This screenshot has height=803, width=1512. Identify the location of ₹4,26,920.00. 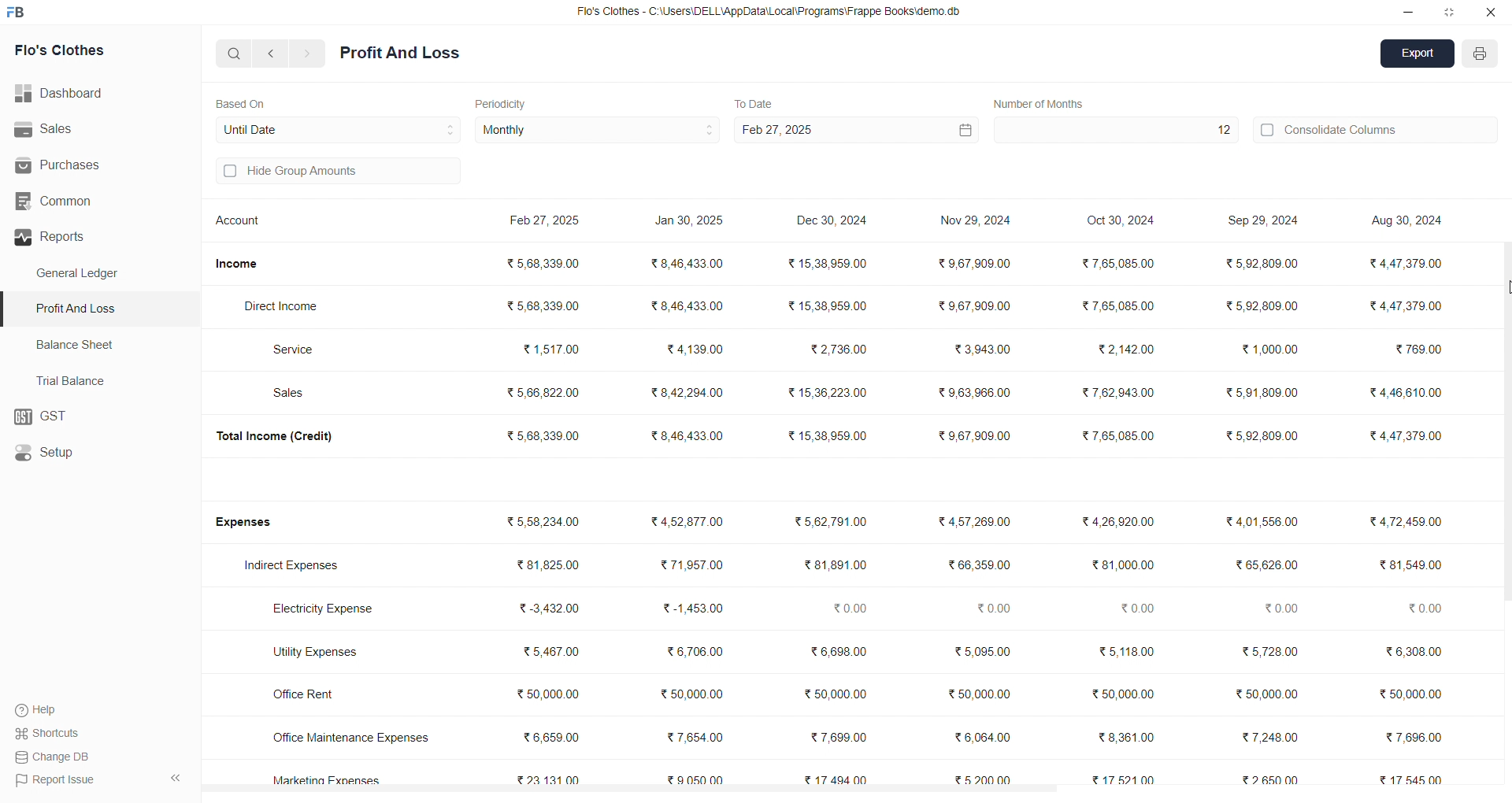
(1124, 522).